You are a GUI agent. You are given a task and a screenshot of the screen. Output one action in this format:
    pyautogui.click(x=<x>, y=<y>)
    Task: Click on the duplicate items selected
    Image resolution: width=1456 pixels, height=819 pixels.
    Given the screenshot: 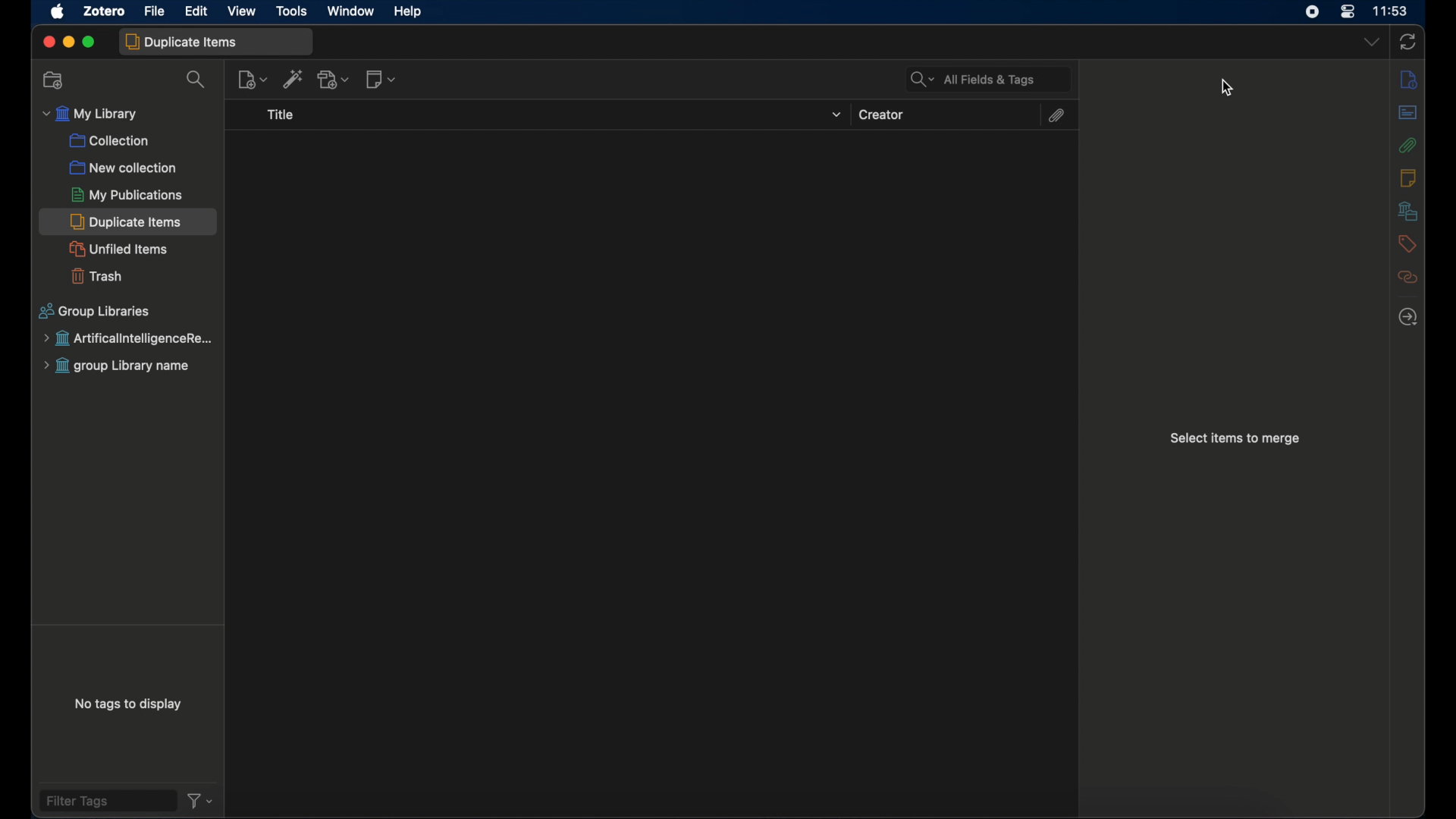 What is the action you would take?
    pyautogui.click(x=129, y=222)
    